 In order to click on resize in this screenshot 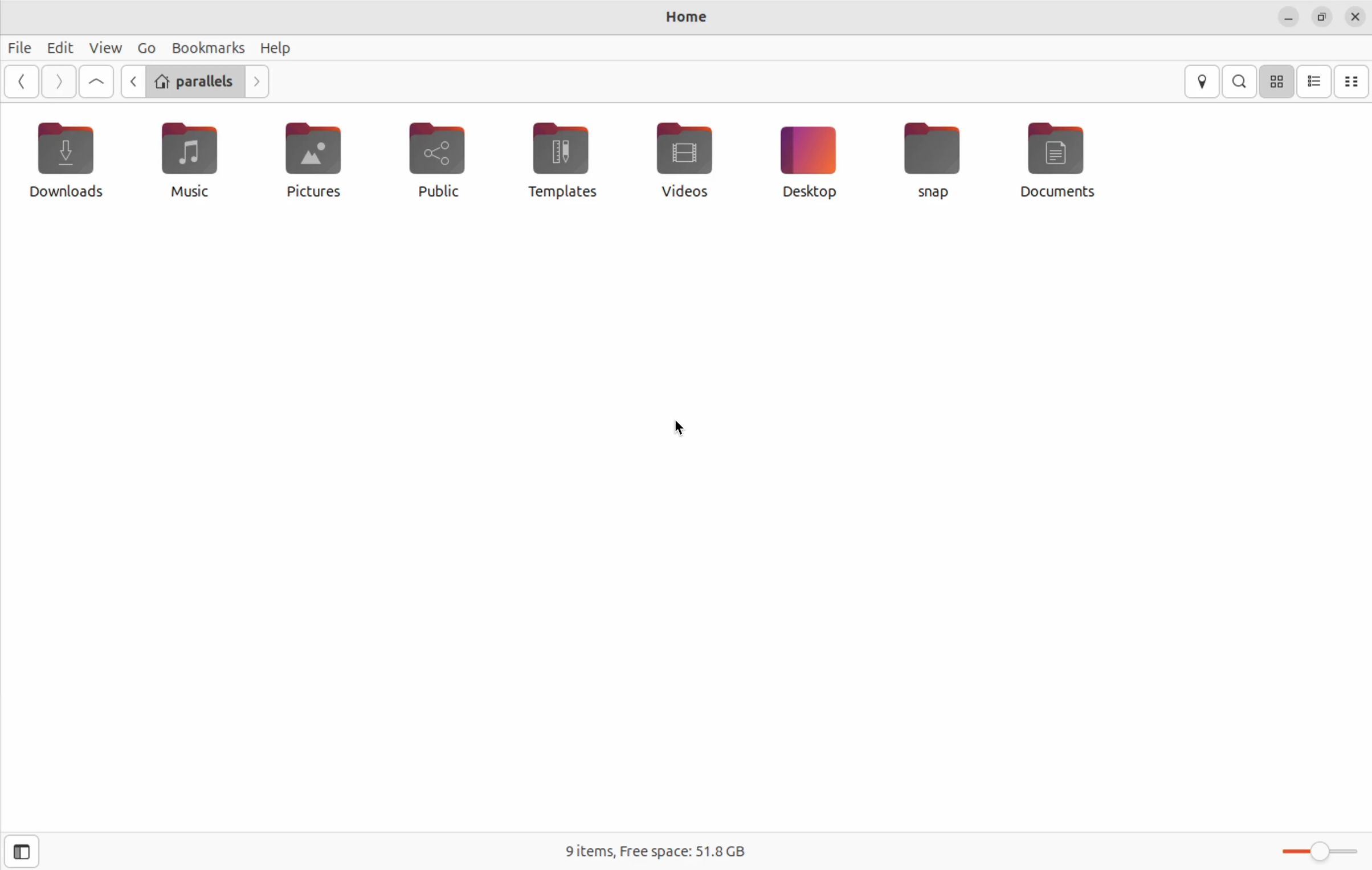, I will do `click(1324, 15)`.